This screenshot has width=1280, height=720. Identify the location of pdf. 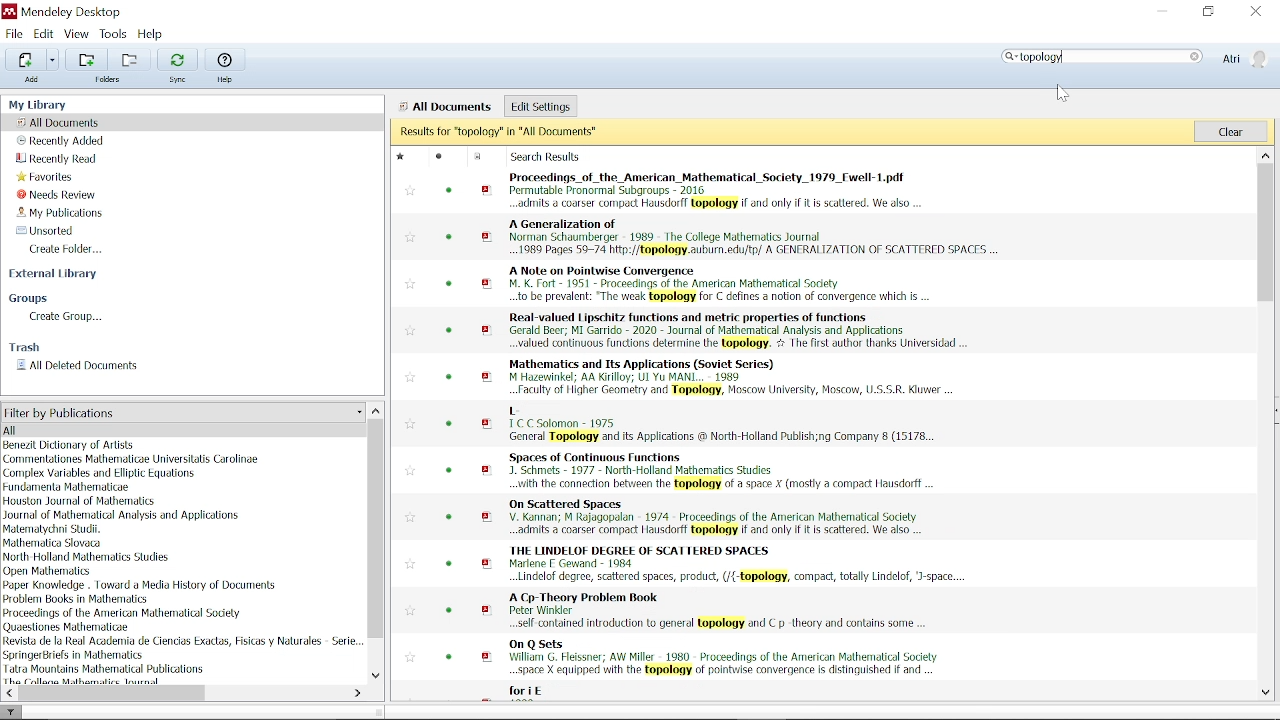
(488, 377).